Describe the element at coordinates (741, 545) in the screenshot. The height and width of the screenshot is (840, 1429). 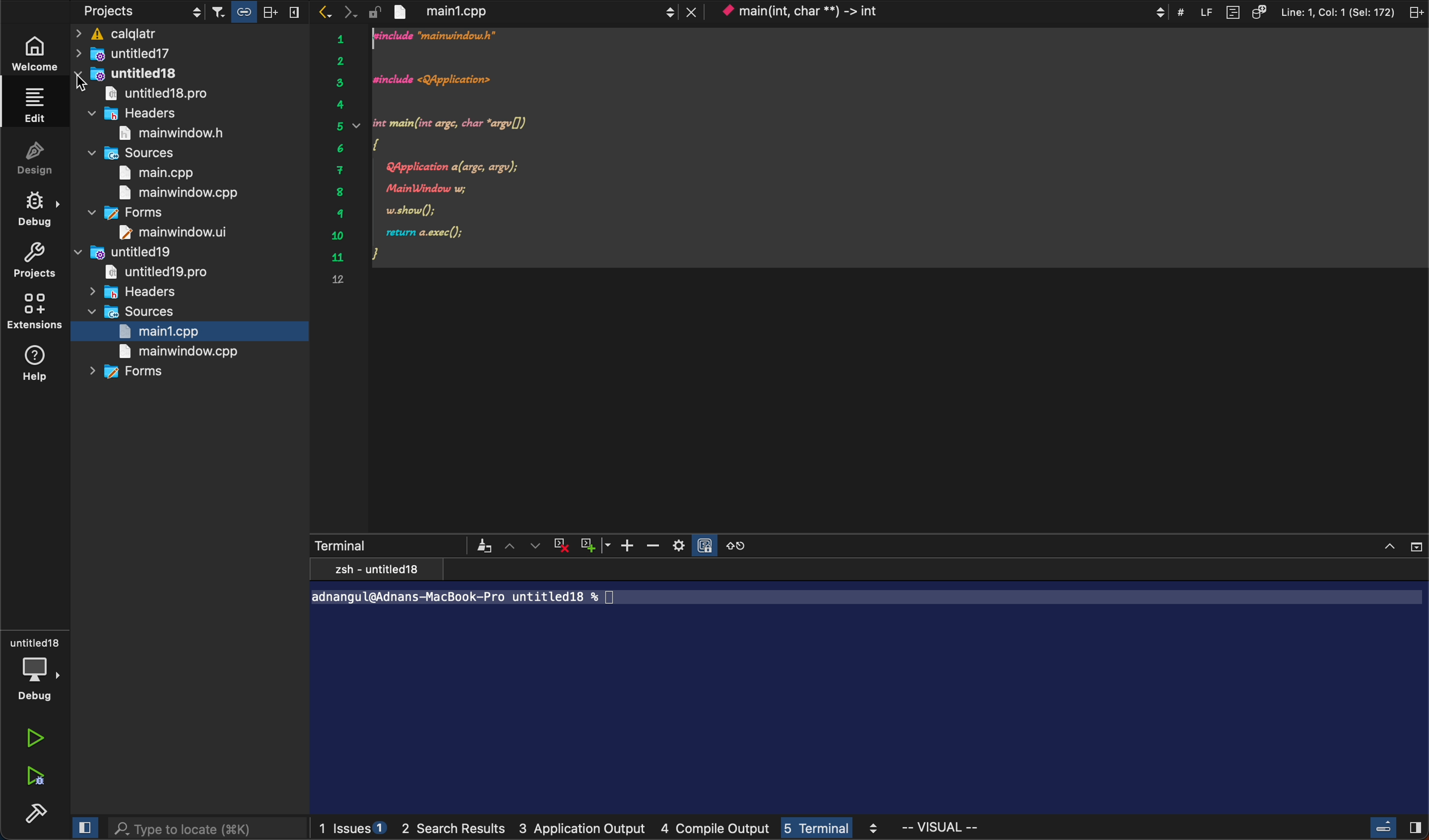
I see `reset` at that location.